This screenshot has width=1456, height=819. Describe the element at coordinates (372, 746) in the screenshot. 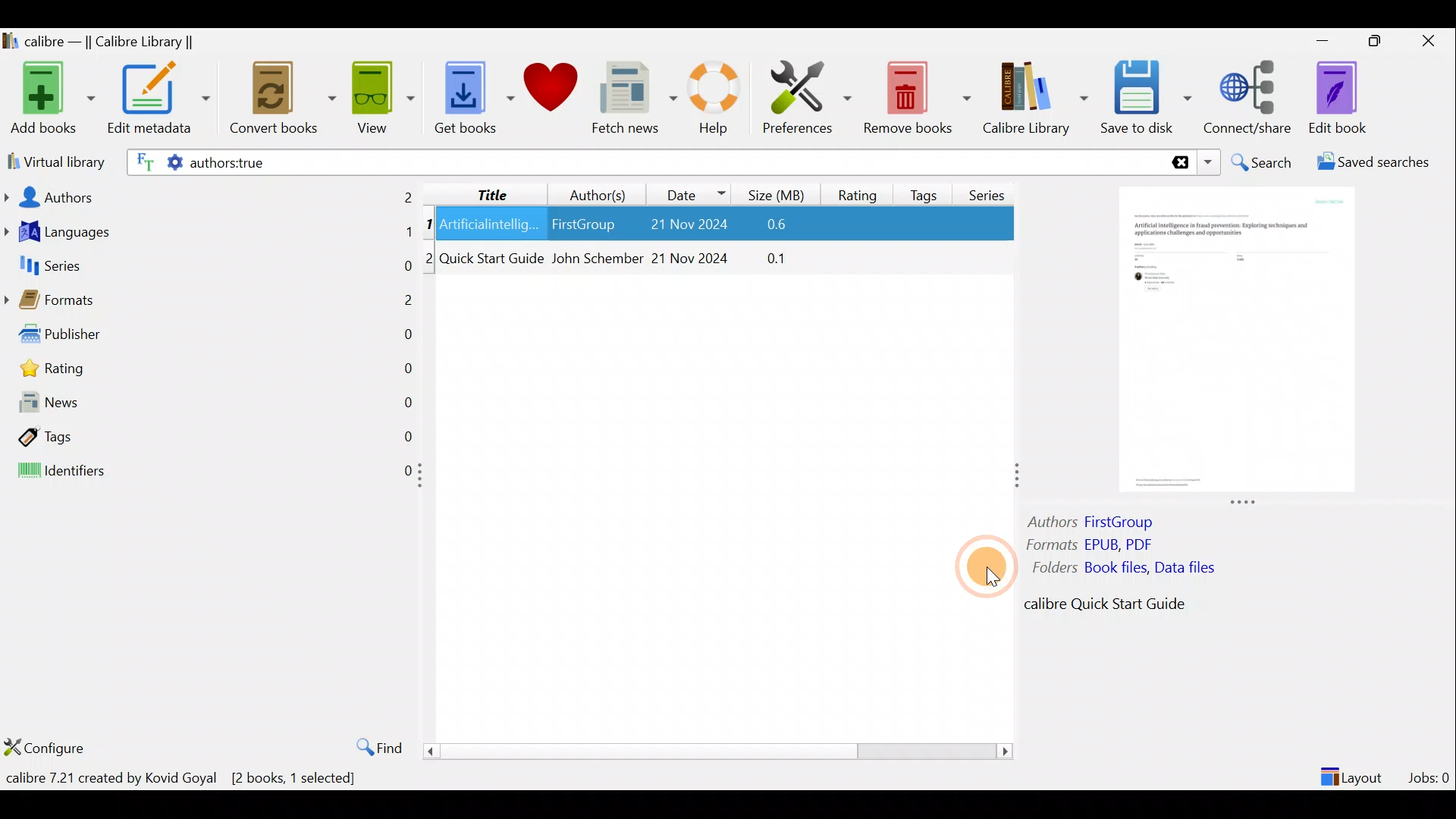

I see `Find` at that location.